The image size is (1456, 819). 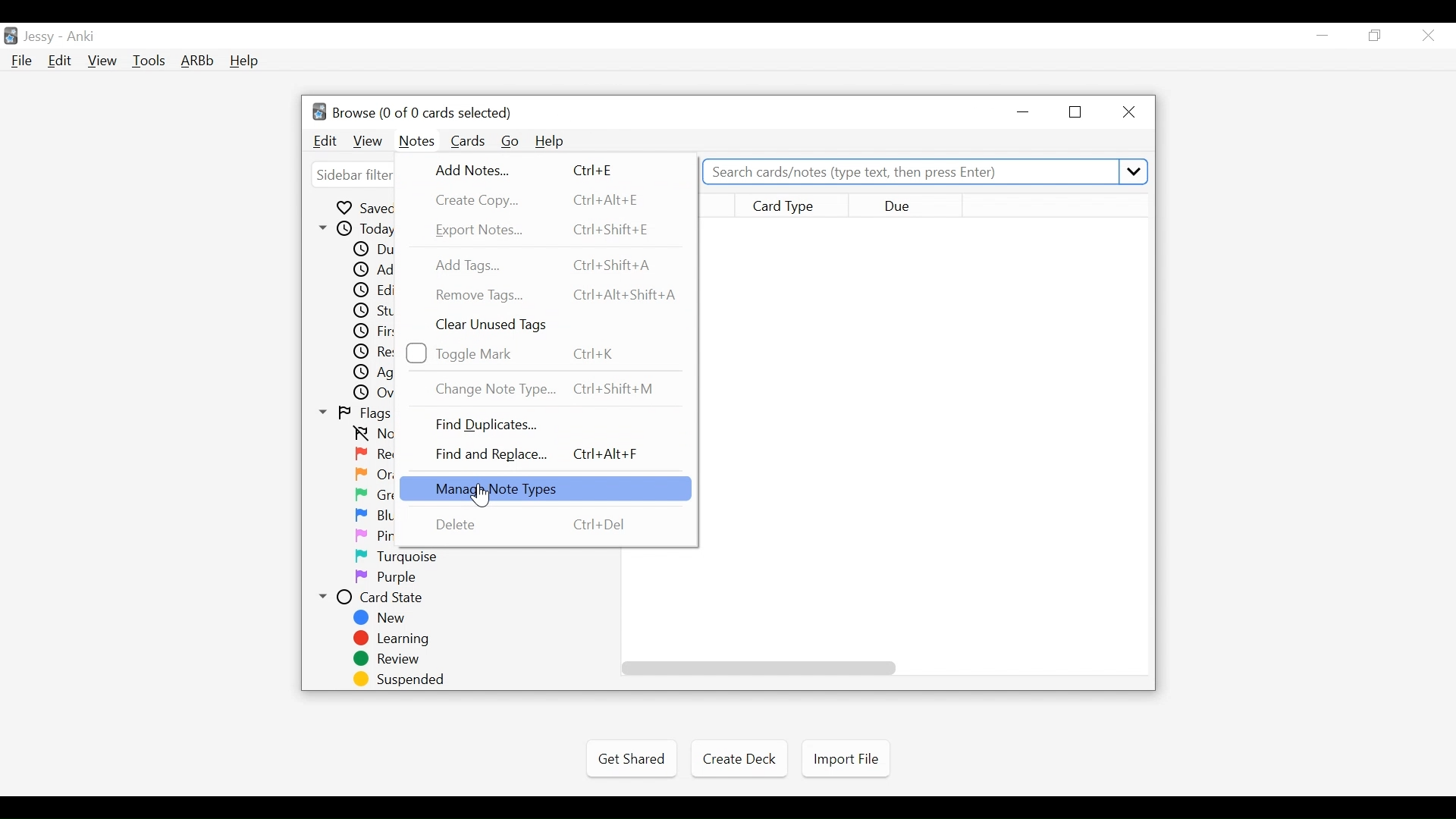 What do you see at coordinates (371, 290) in the screenshot?
I see `Edited` at bounding box center [371, 290].